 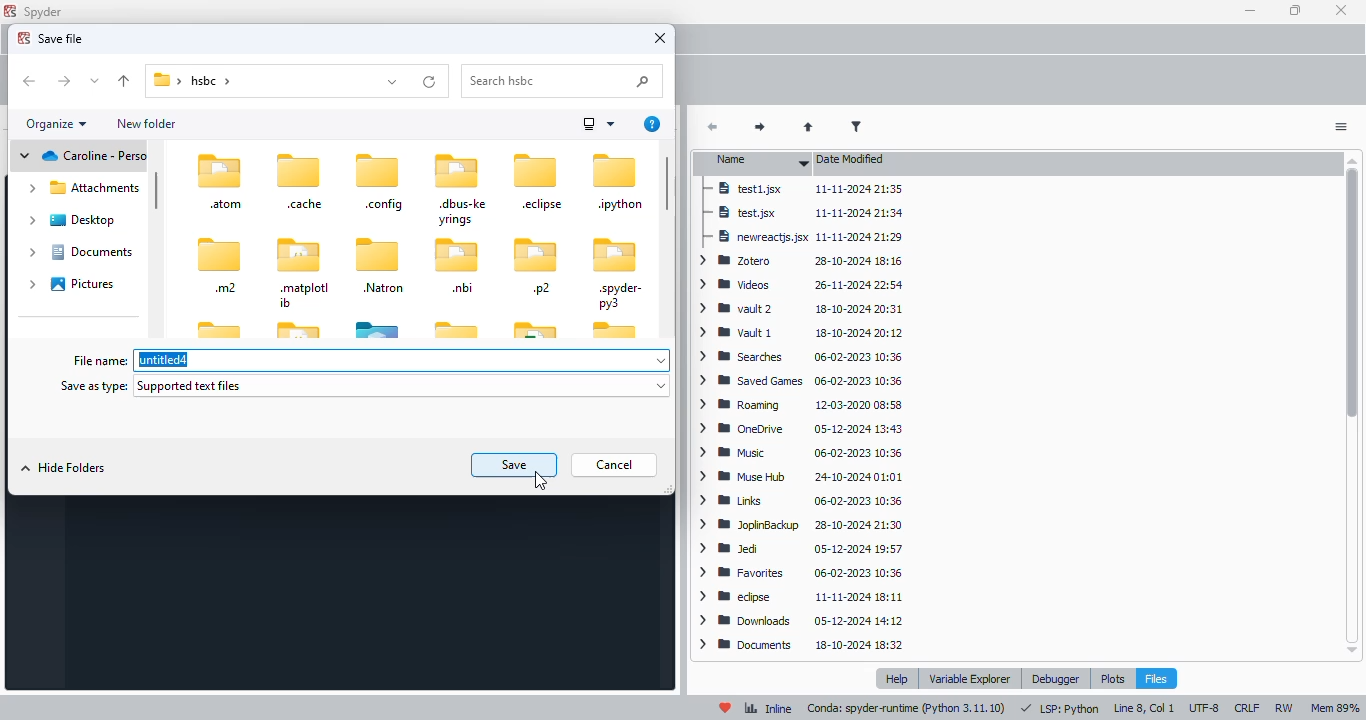 I want to click on hide folders, so click(x=64, y=468).